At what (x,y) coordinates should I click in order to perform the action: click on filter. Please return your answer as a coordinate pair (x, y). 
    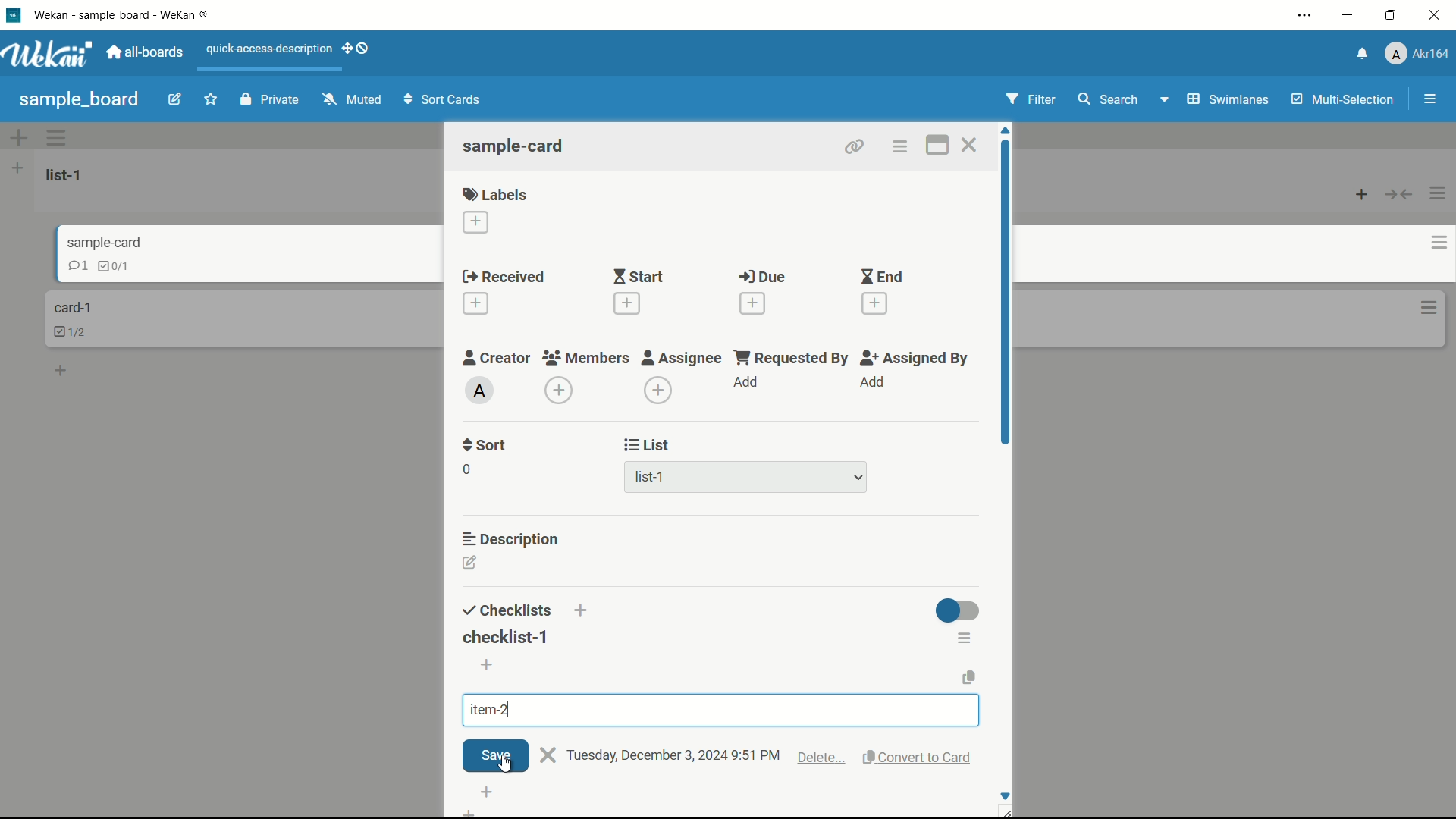
    Looking at the image, I should click on (1031, 99).